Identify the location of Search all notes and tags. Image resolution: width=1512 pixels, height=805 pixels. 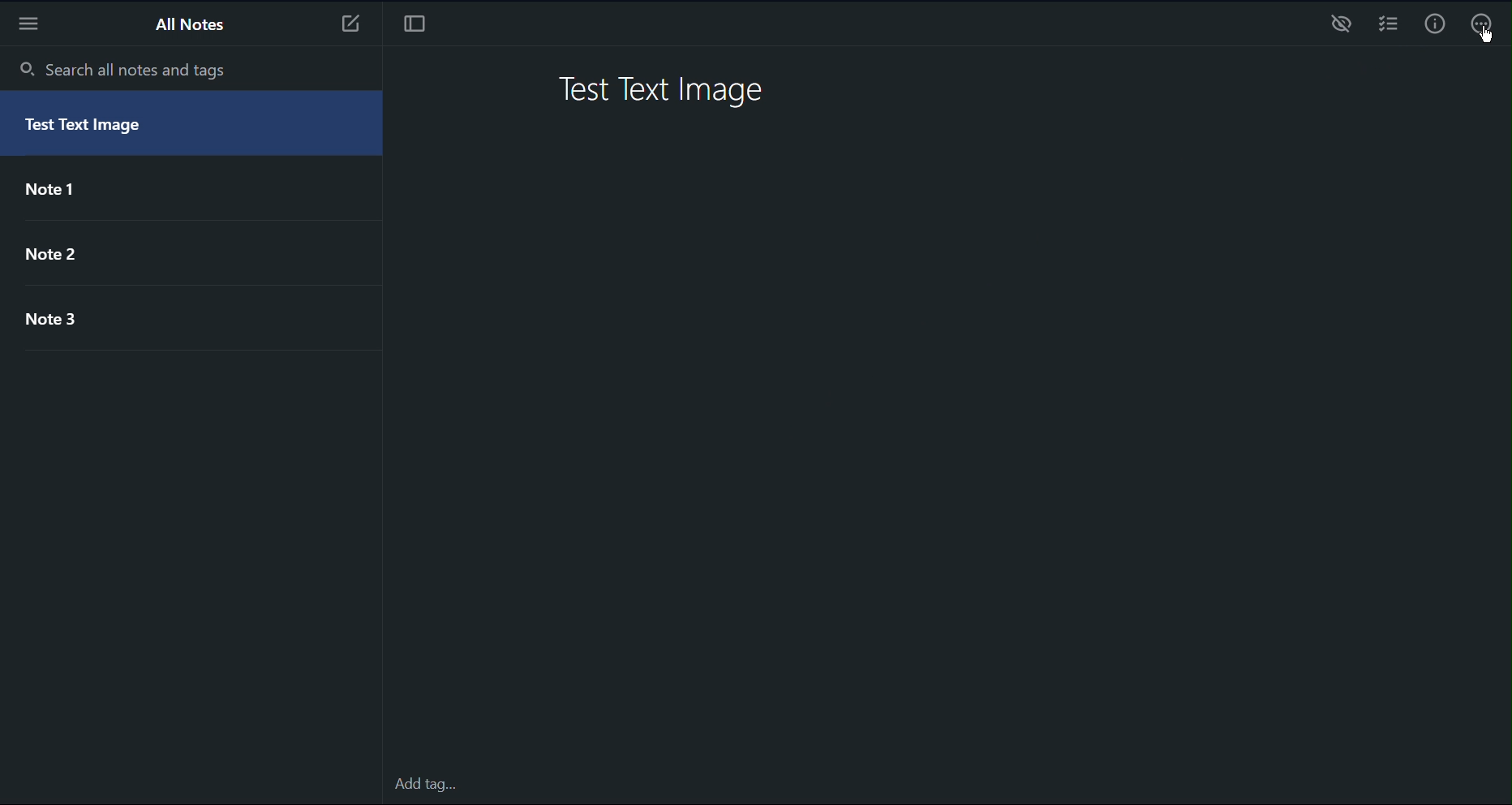
(123, 68).